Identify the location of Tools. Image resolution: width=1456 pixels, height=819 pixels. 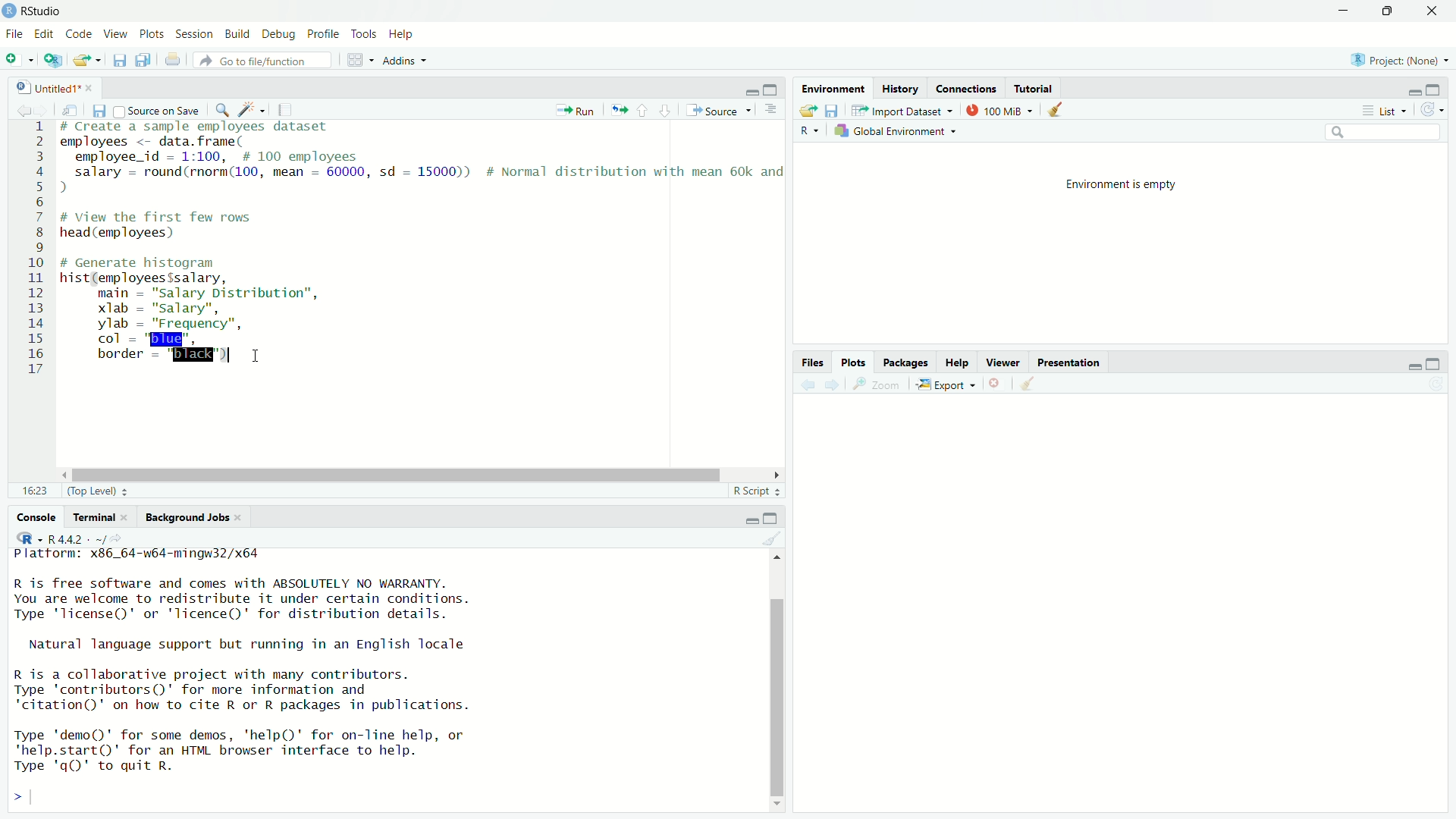
(366, 35).